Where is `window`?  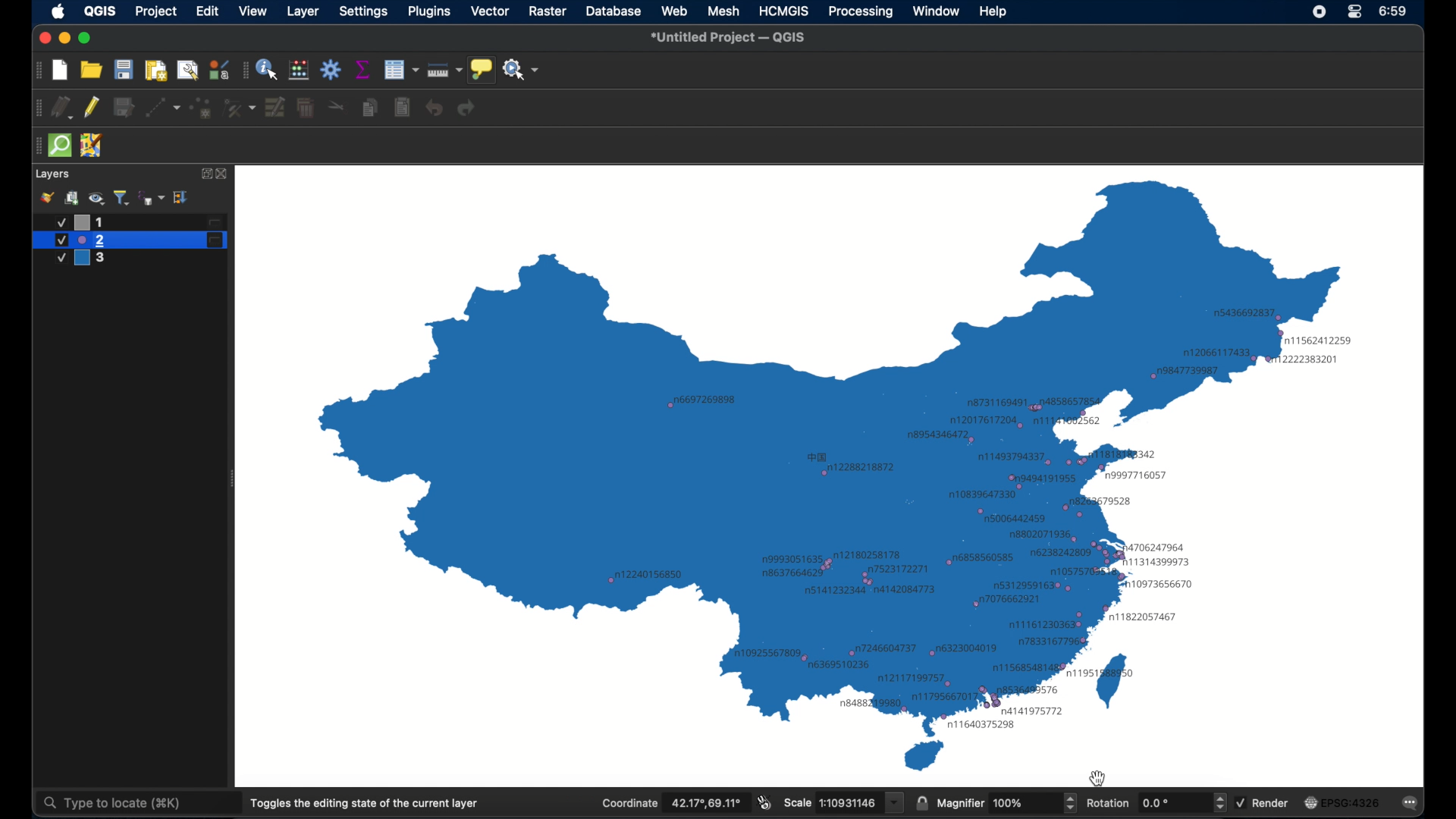 window is located at coordinates (937, 12).